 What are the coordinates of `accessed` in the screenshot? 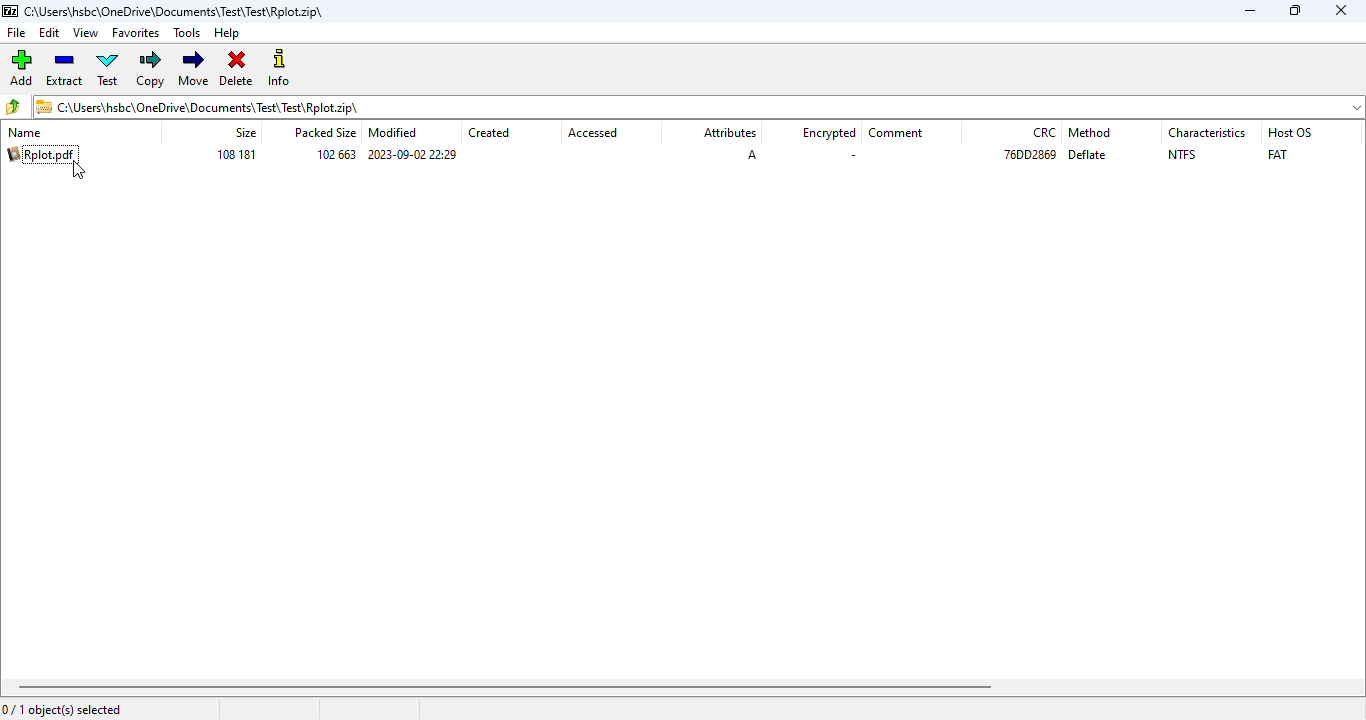 It's located at (593, 133).